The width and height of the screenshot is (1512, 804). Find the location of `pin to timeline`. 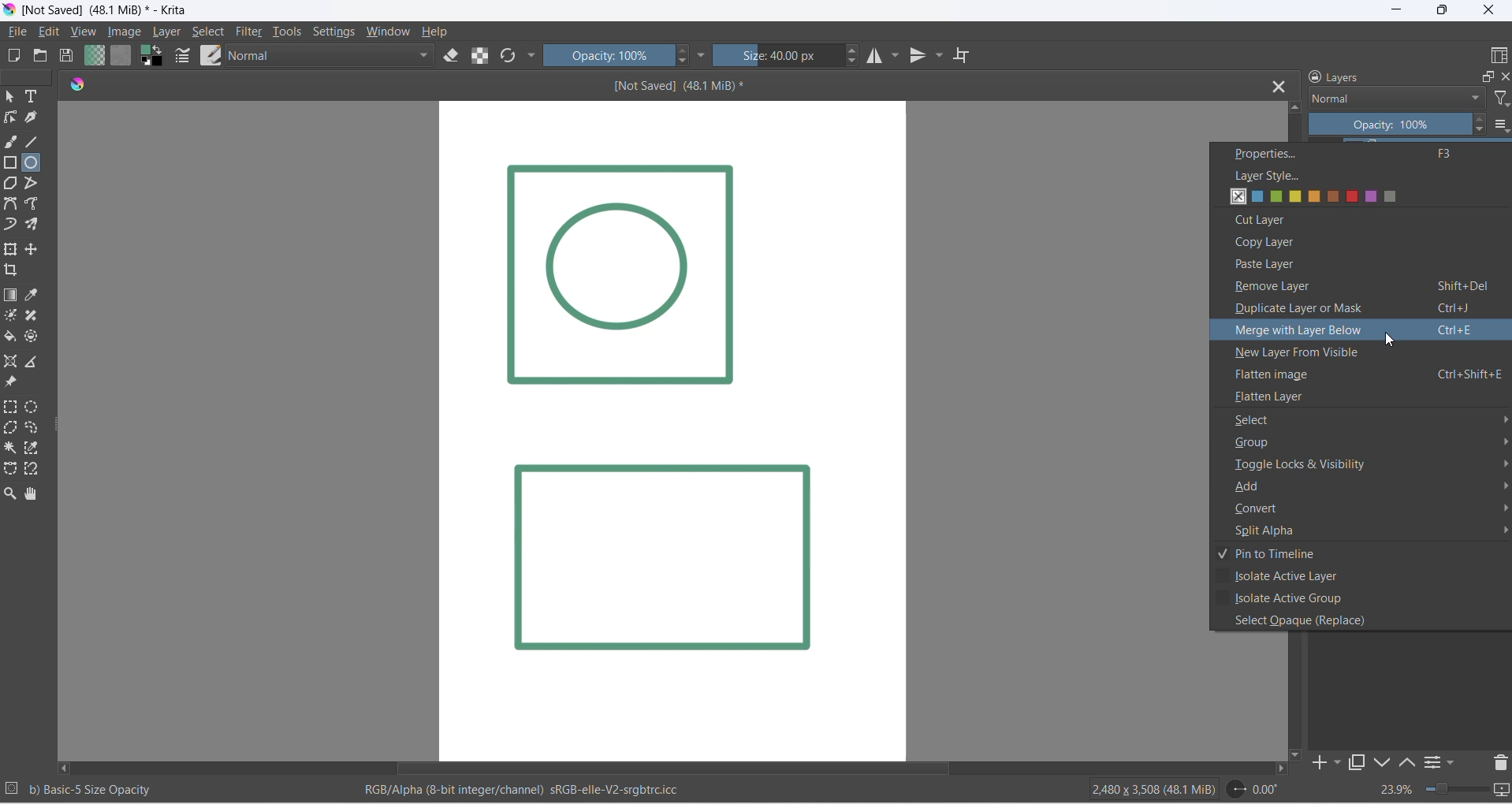

pin to timeline is located at coordinates (1357, 554).